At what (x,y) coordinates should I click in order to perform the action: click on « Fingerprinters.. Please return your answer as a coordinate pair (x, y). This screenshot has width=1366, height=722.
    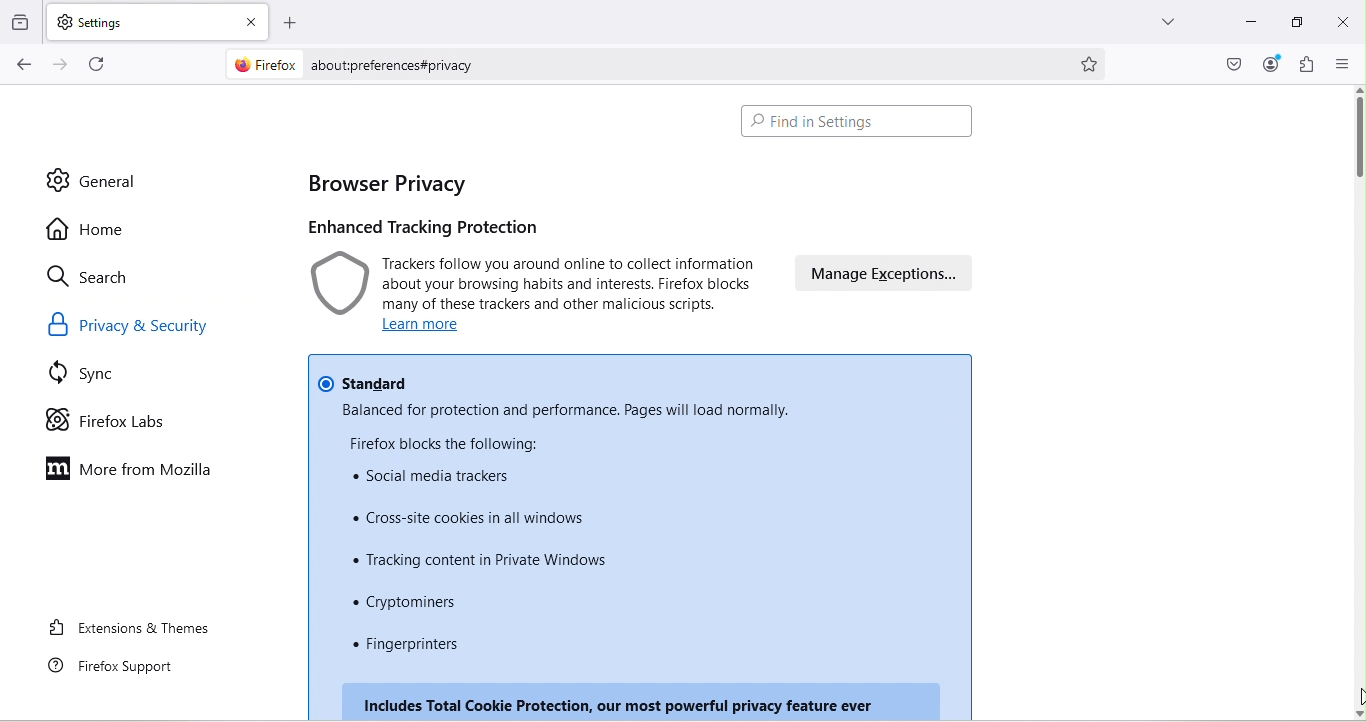
    Looking at the image, I should click on (418, 648).